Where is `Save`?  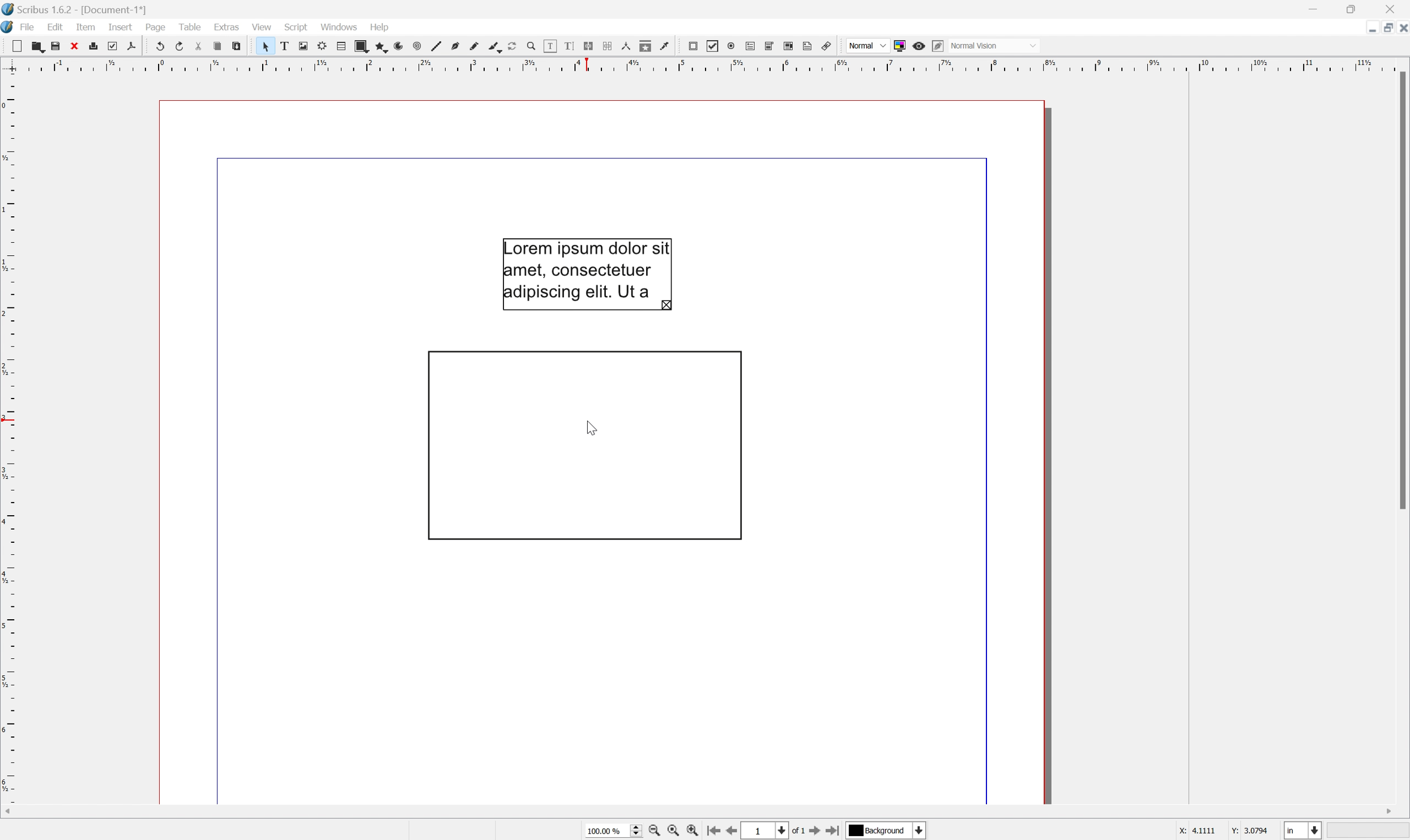
Save is located at coordinates (54, 47).